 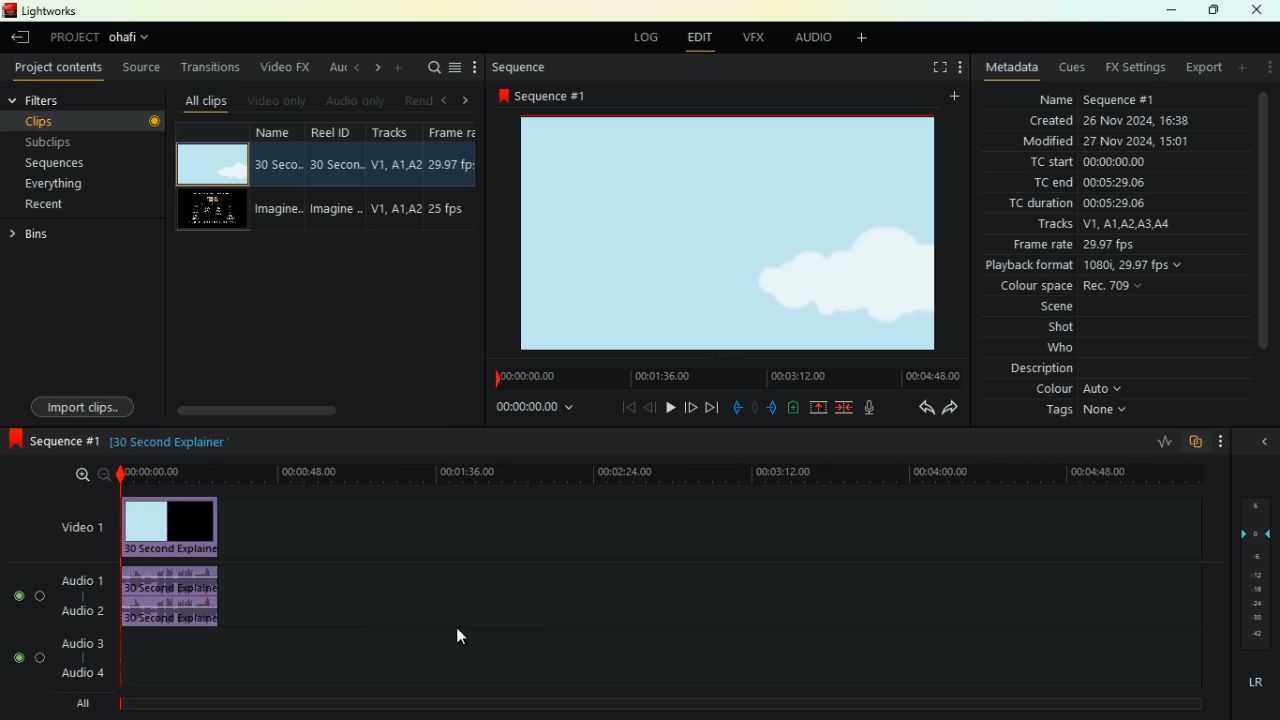 I want to click on everything, so click(x=54, y=184).